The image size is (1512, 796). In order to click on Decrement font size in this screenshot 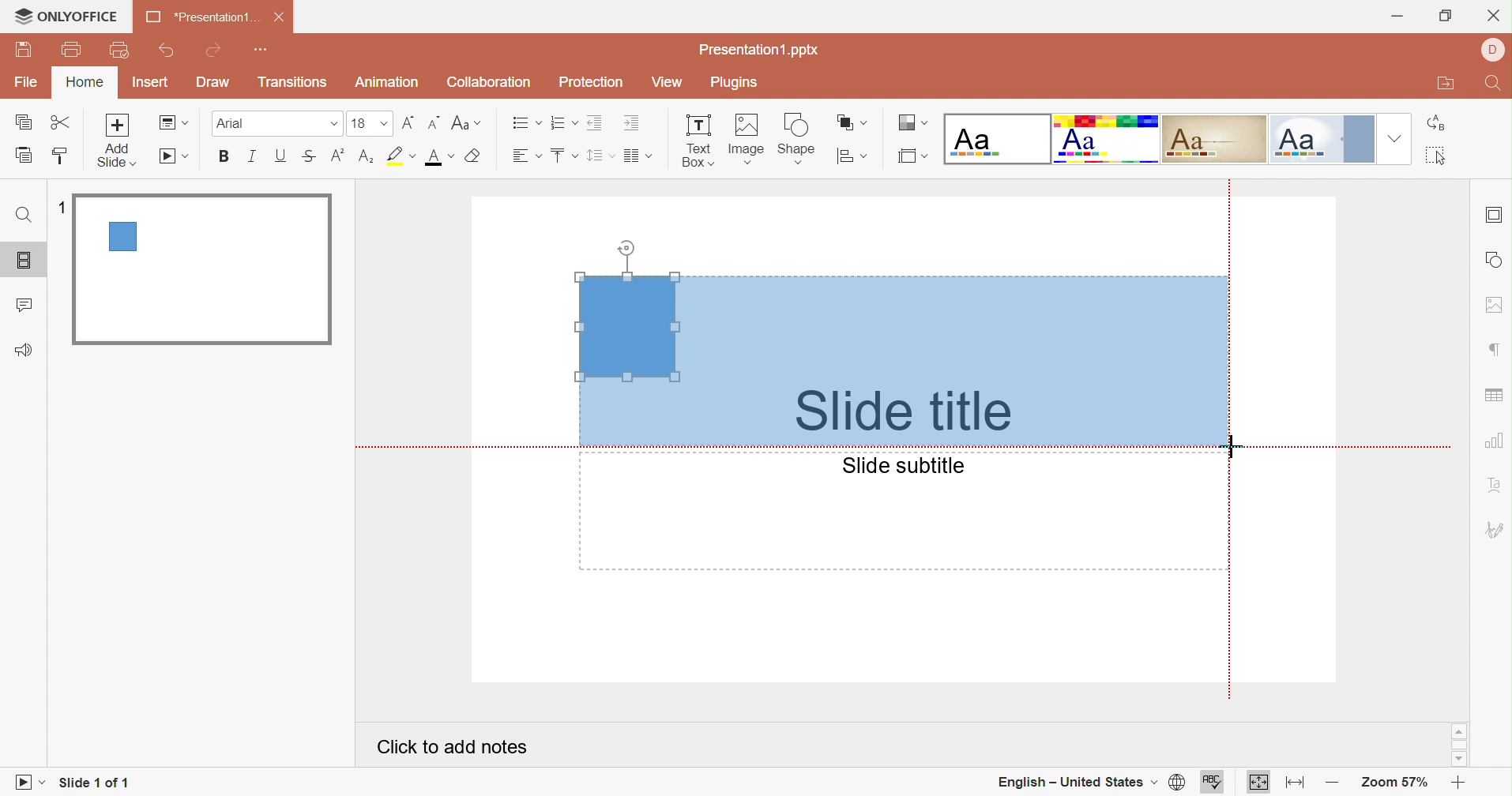, I will do `click(433, 123)`.